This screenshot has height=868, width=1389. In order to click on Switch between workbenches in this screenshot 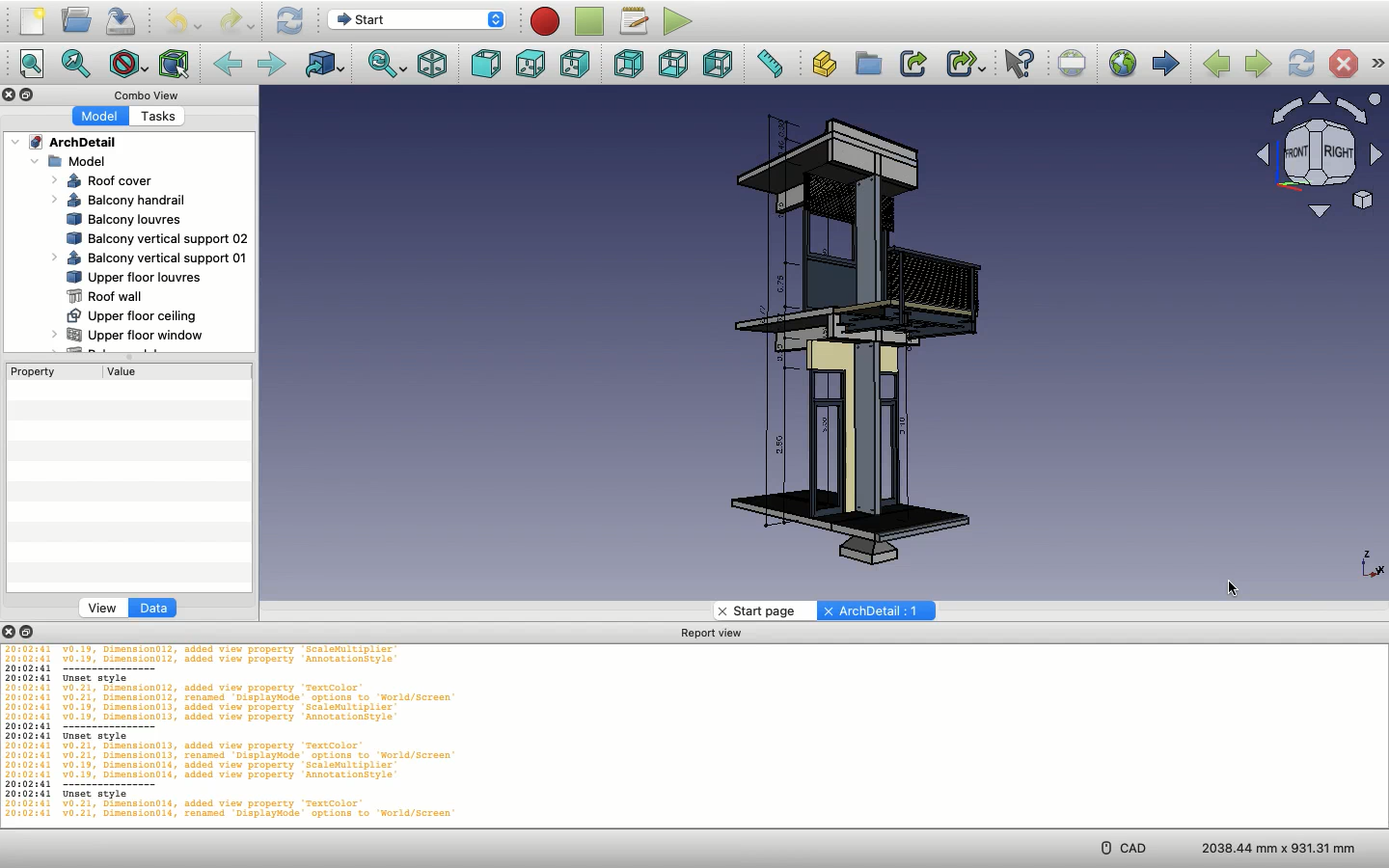, I will do `click(418, 18)`.